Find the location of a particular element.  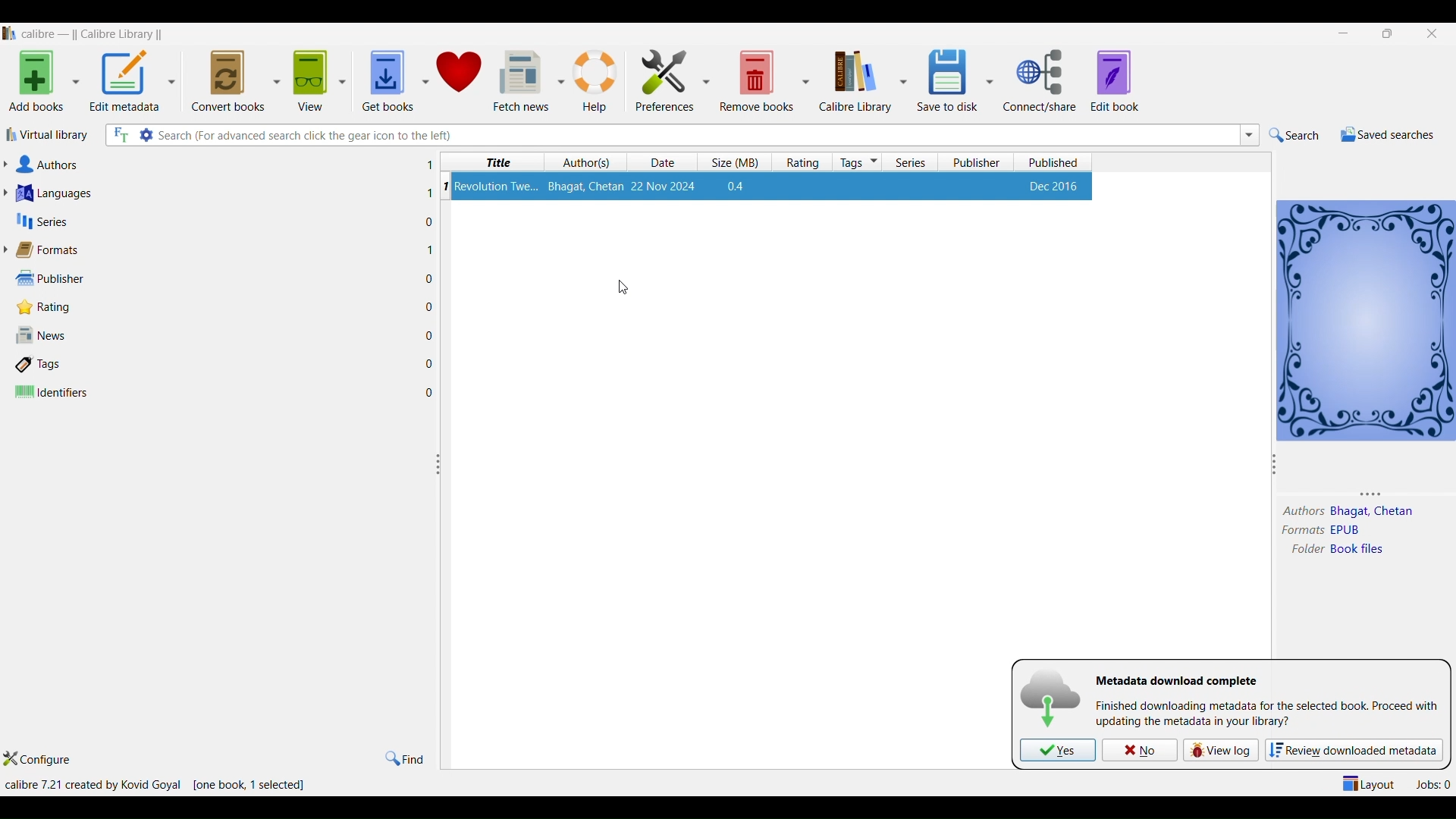

layout is located at coordinates (1367, 783).